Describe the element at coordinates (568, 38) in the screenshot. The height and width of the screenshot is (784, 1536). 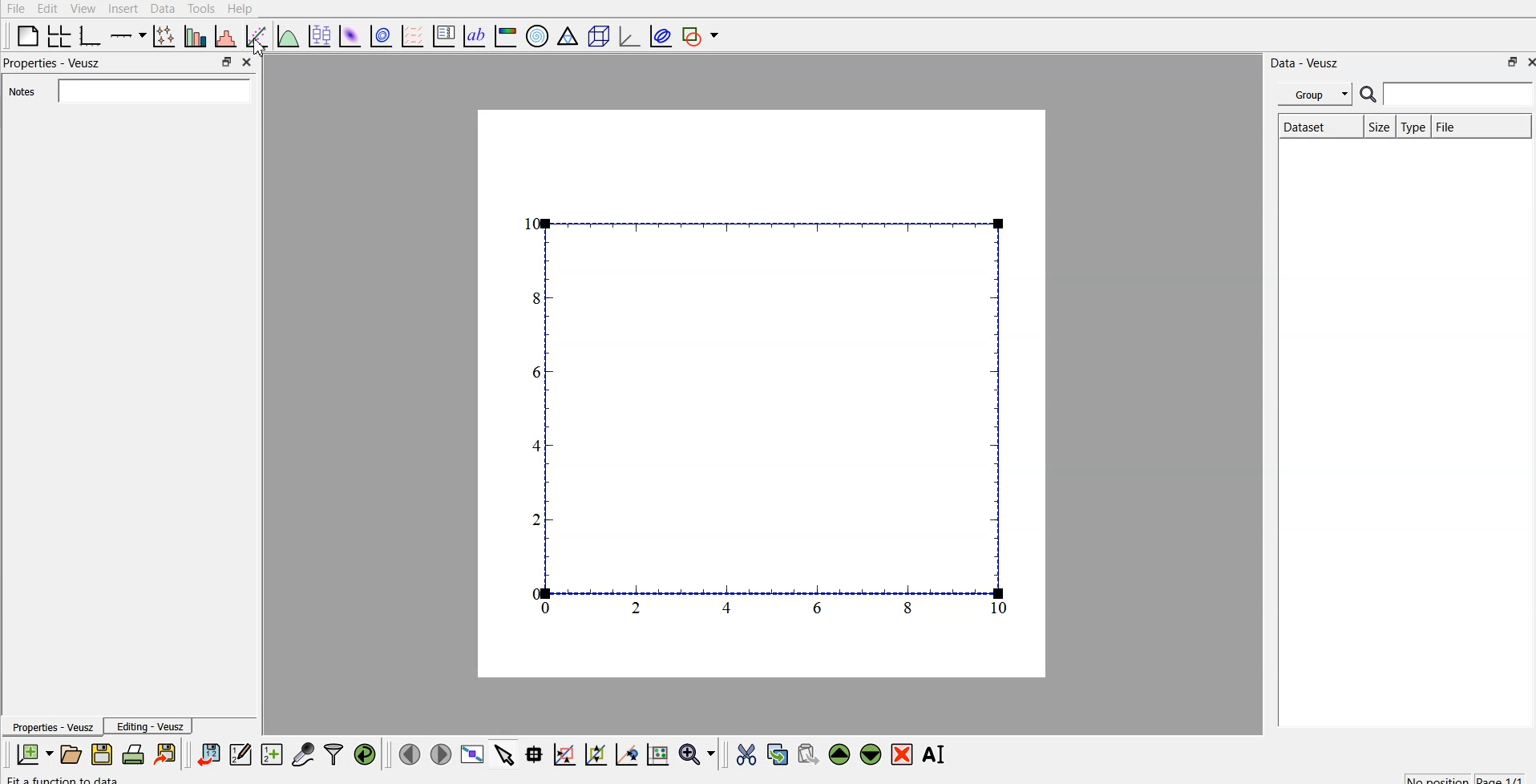
I see `ternary graph` at that location.